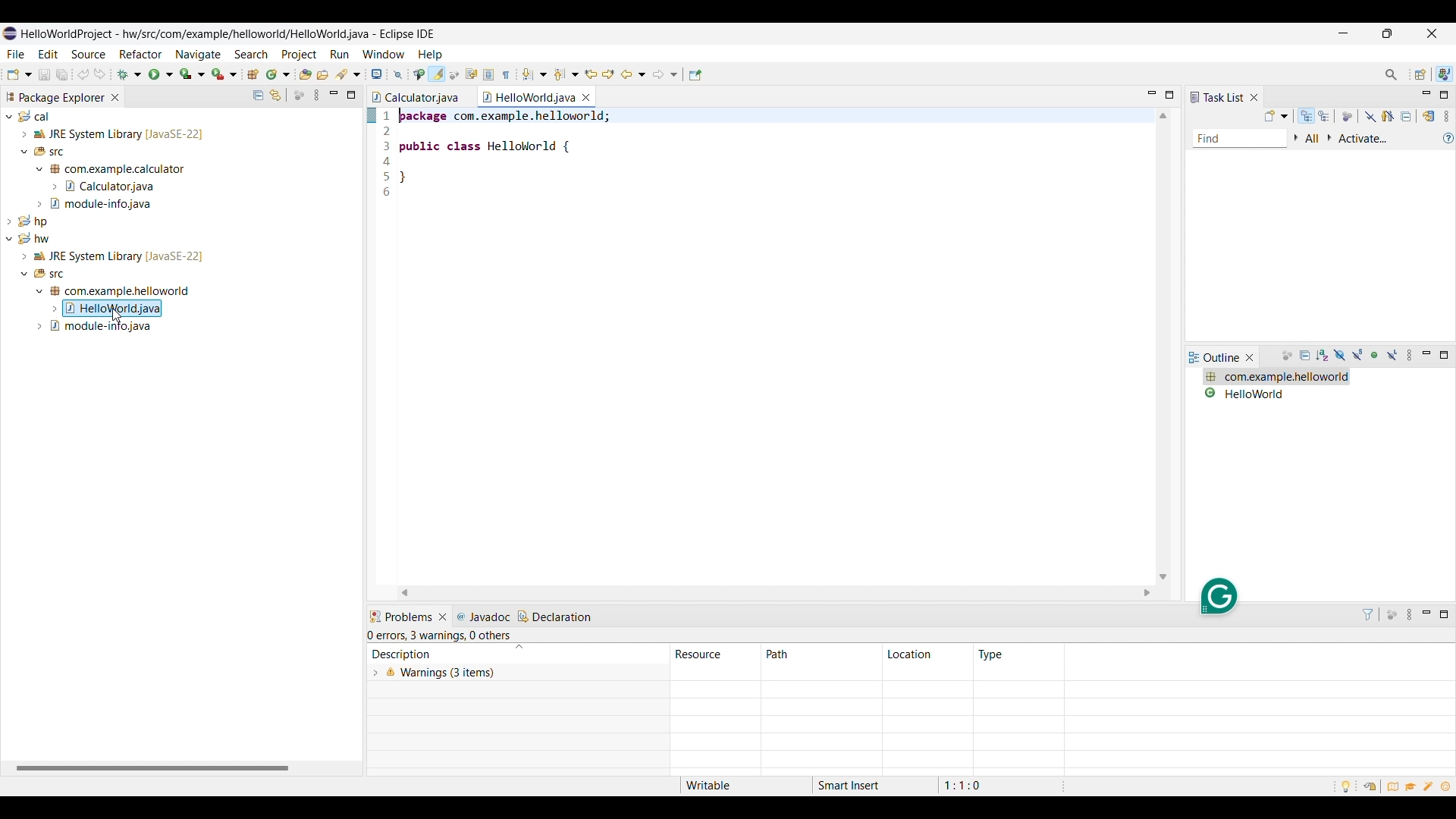  I want to click on Show whitespace characters, so click(507, 74).